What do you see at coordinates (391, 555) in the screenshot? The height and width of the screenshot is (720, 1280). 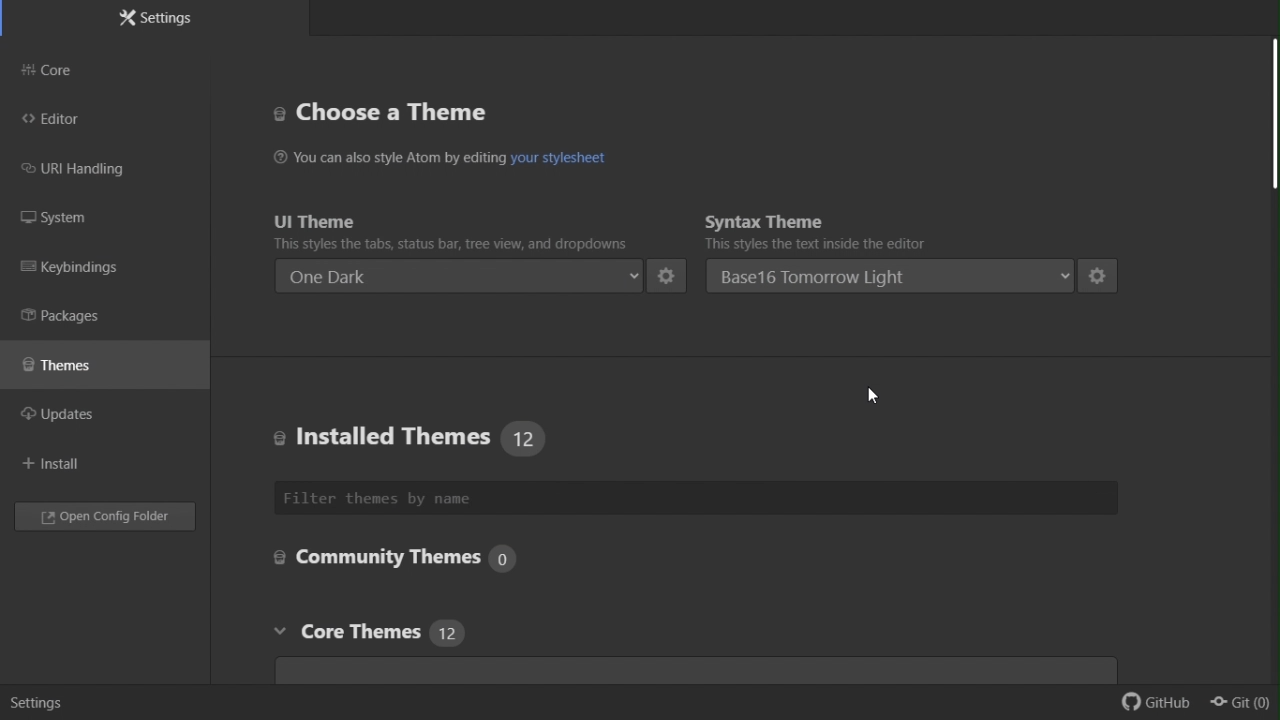 I see `Community themes` at bounding box center [391, 555].